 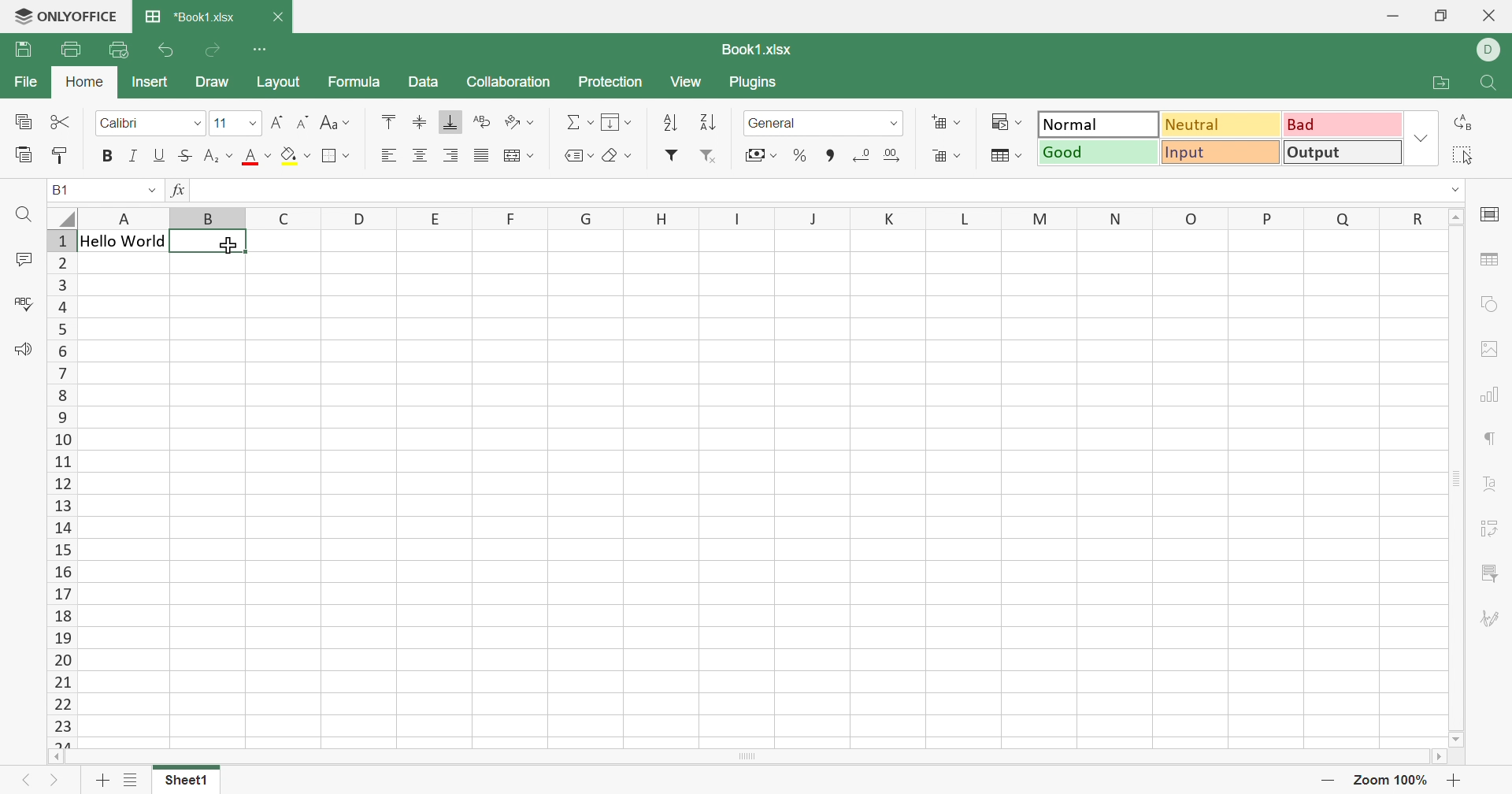 I want to click on Zoom in, so click(x=1455, y=783).